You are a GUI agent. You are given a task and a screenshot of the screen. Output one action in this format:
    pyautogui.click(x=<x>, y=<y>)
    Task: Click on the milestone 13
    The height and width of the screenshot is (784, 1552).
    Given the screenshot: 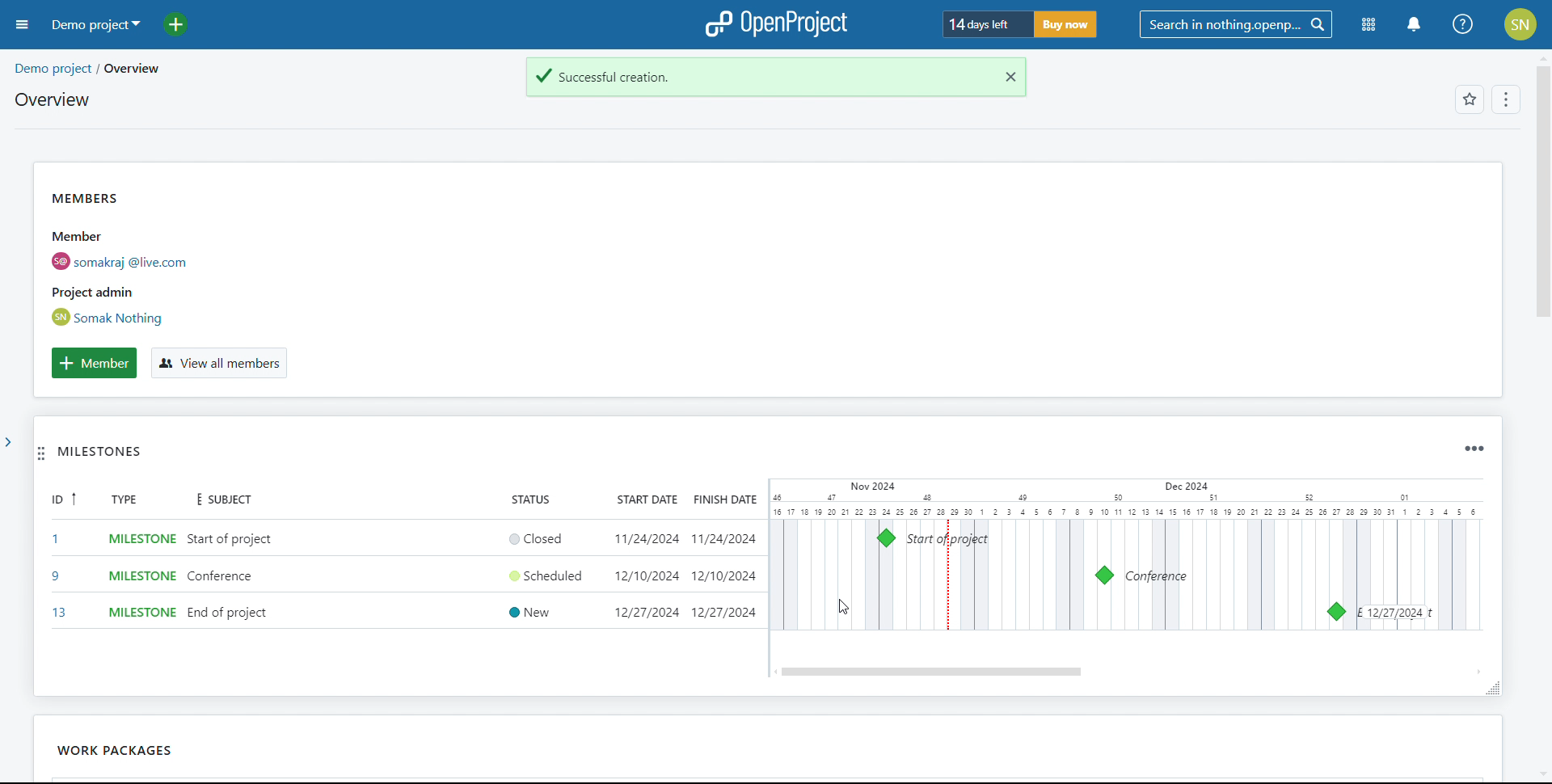 What is the action you would take?
    pyautogui.click(x=1335, y=612)
    